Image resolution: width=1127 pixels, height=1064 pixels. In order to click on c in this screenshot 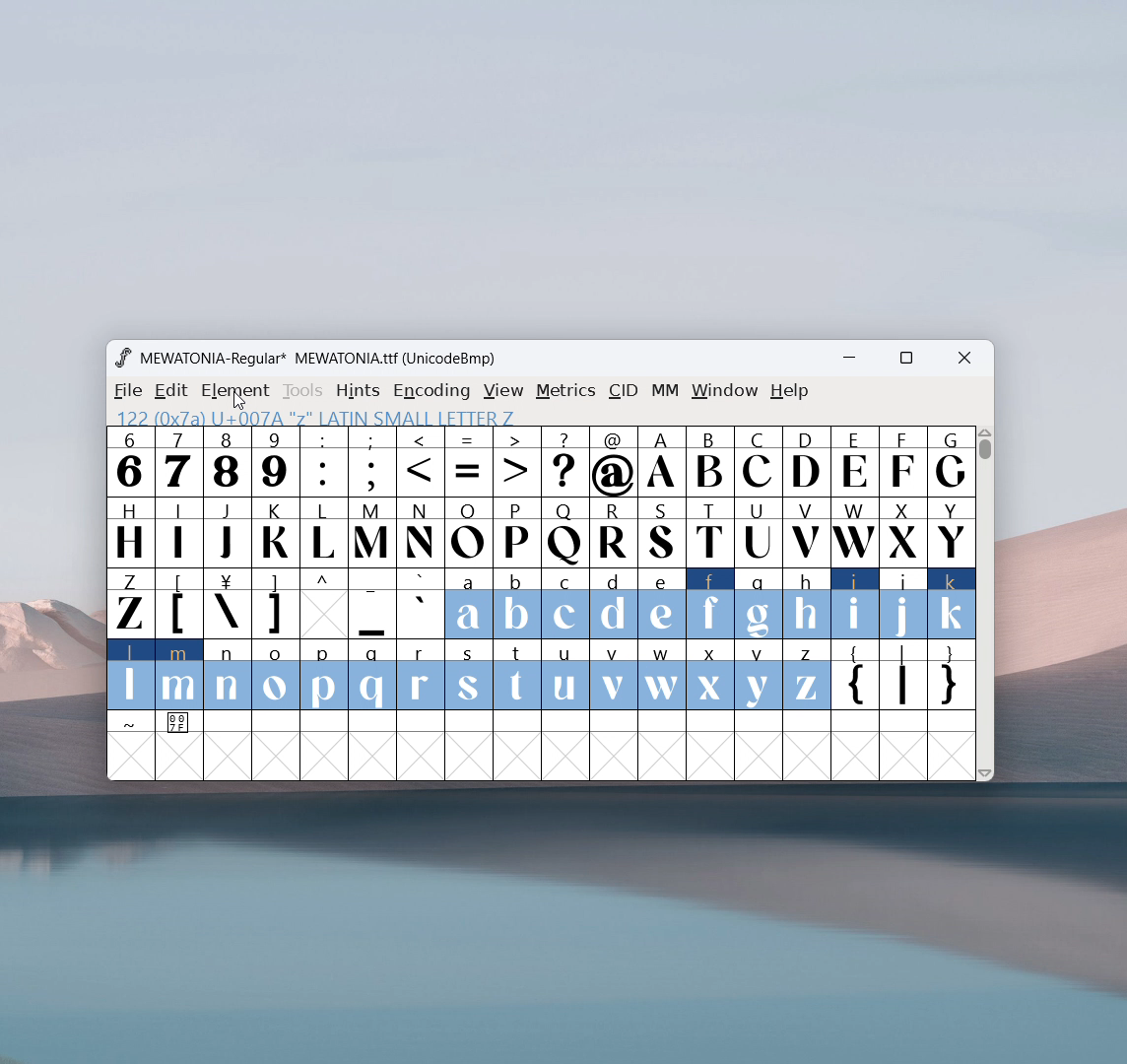, I will do `click(565, 604)`.